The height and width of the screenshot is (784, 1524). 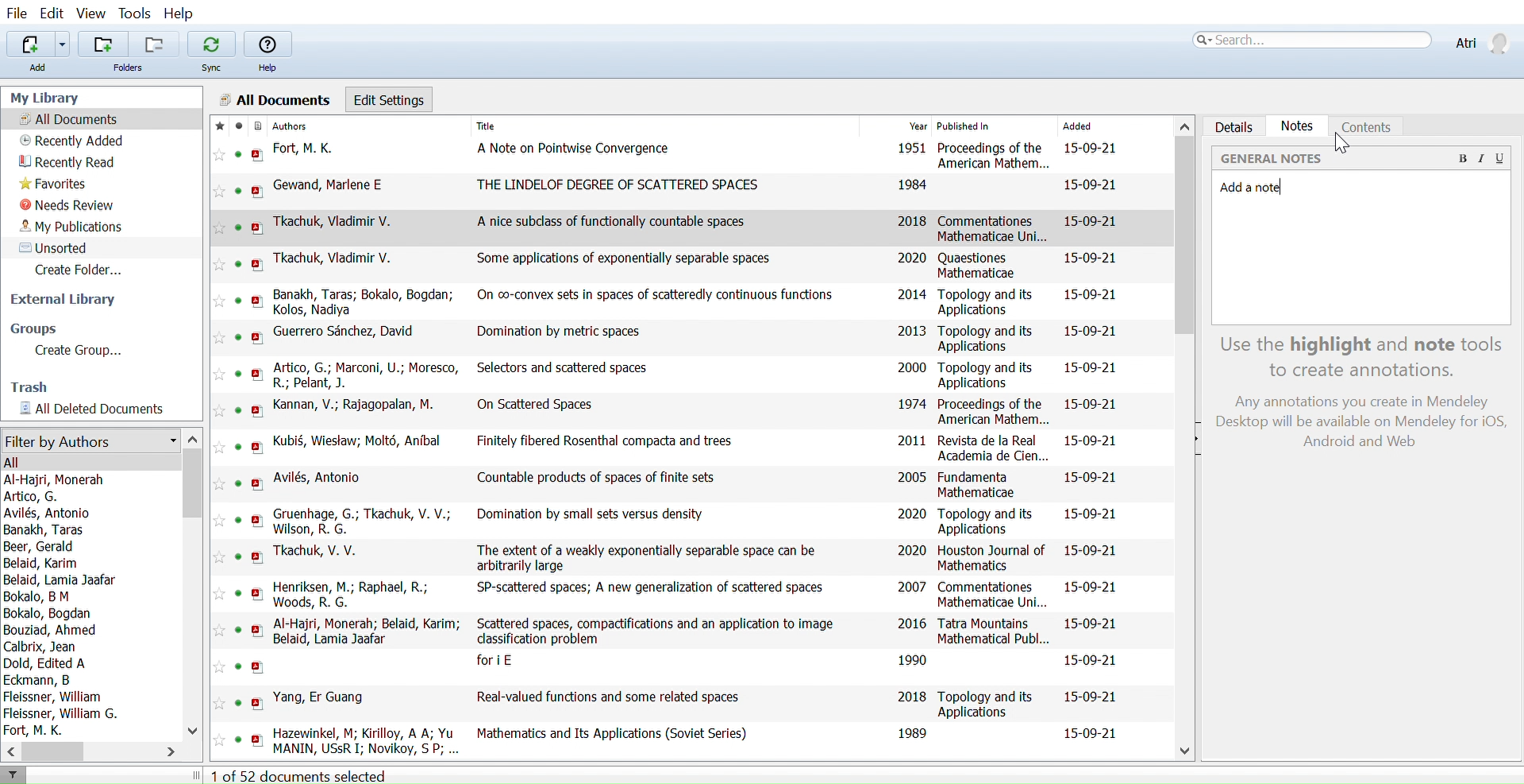 What do you see at coordinates (1095, 332) in the screenshot?
I see `15-09-21` at bounding box center [1095, 332].